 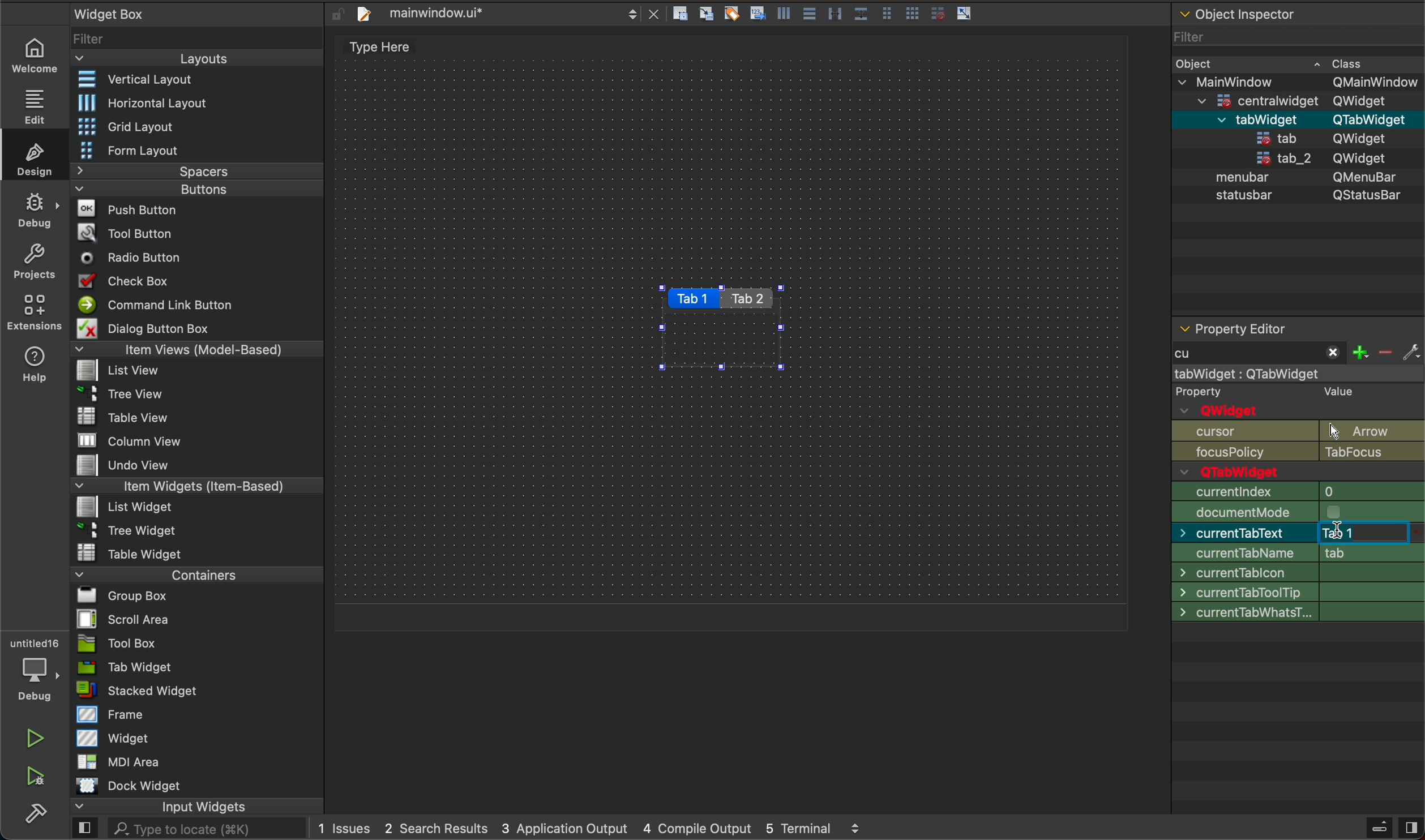 What do you see at coordinates (125, 279) in the screenshot?
I see `Check Box` at bounding box center [125, 279].